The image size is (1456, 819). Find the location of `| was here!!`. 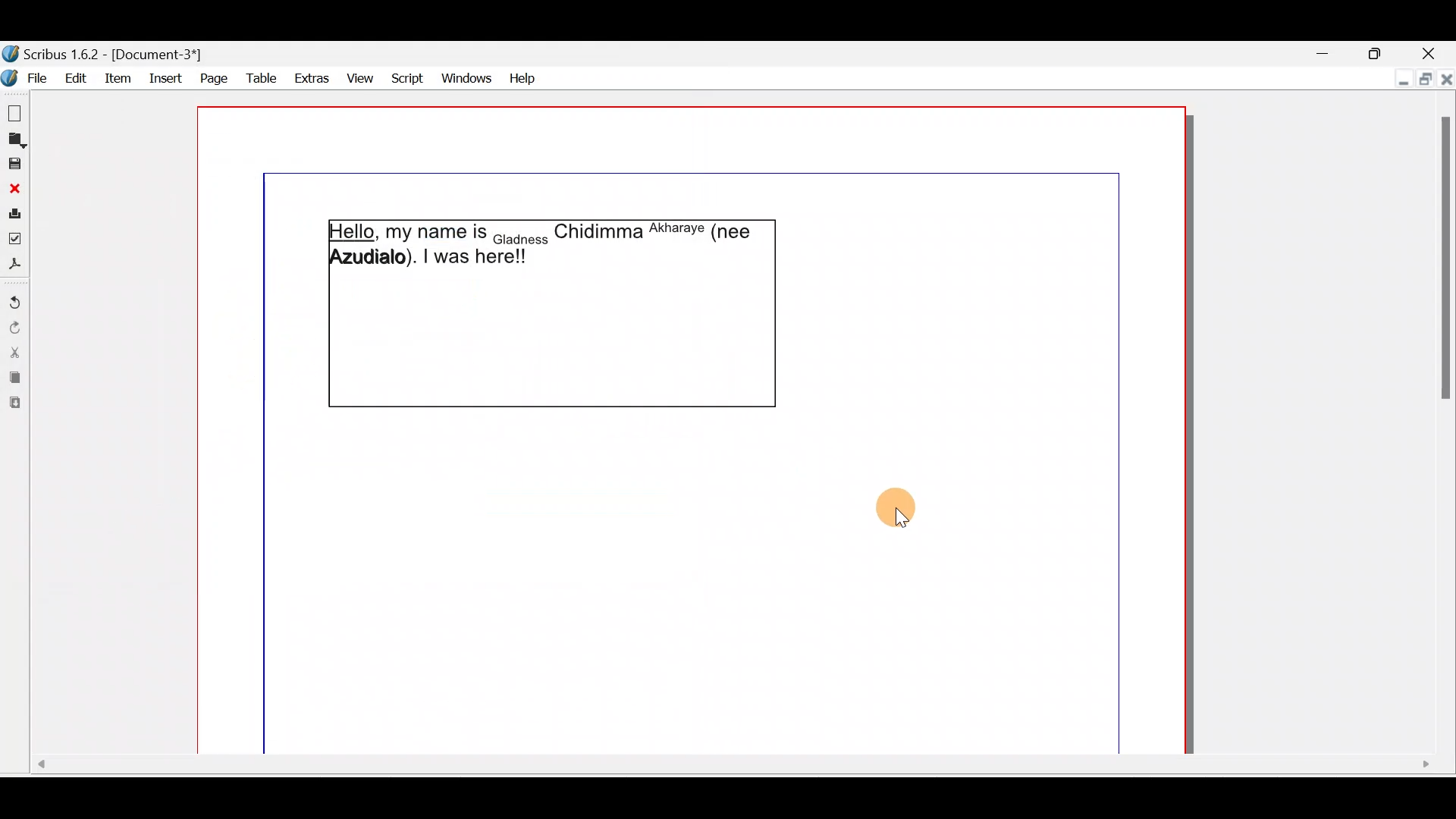

| was here!! is located at coordinates (474, 259).